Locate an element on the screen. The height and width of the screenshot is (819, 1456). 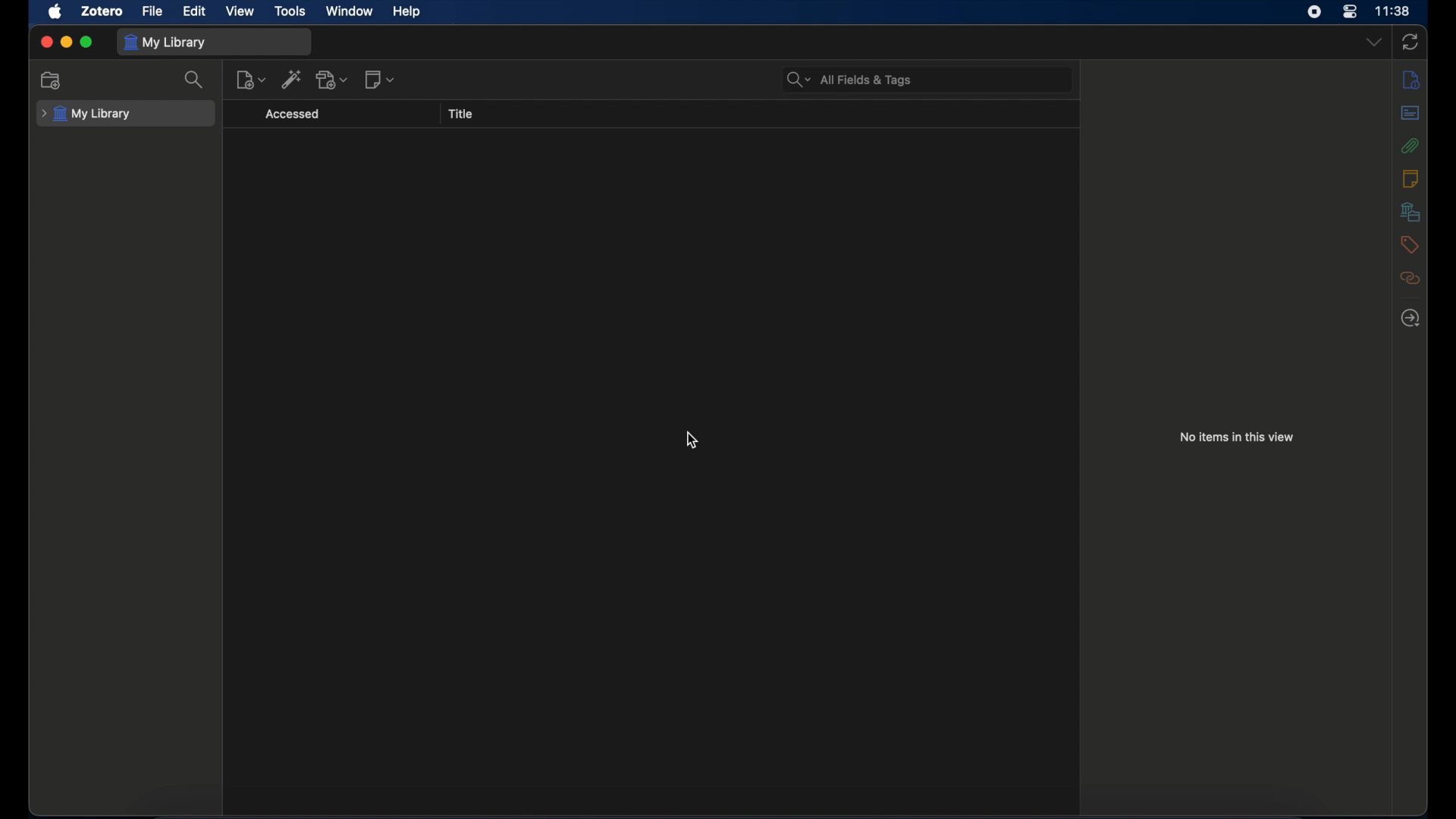
title is located at coordinates (463, 115).